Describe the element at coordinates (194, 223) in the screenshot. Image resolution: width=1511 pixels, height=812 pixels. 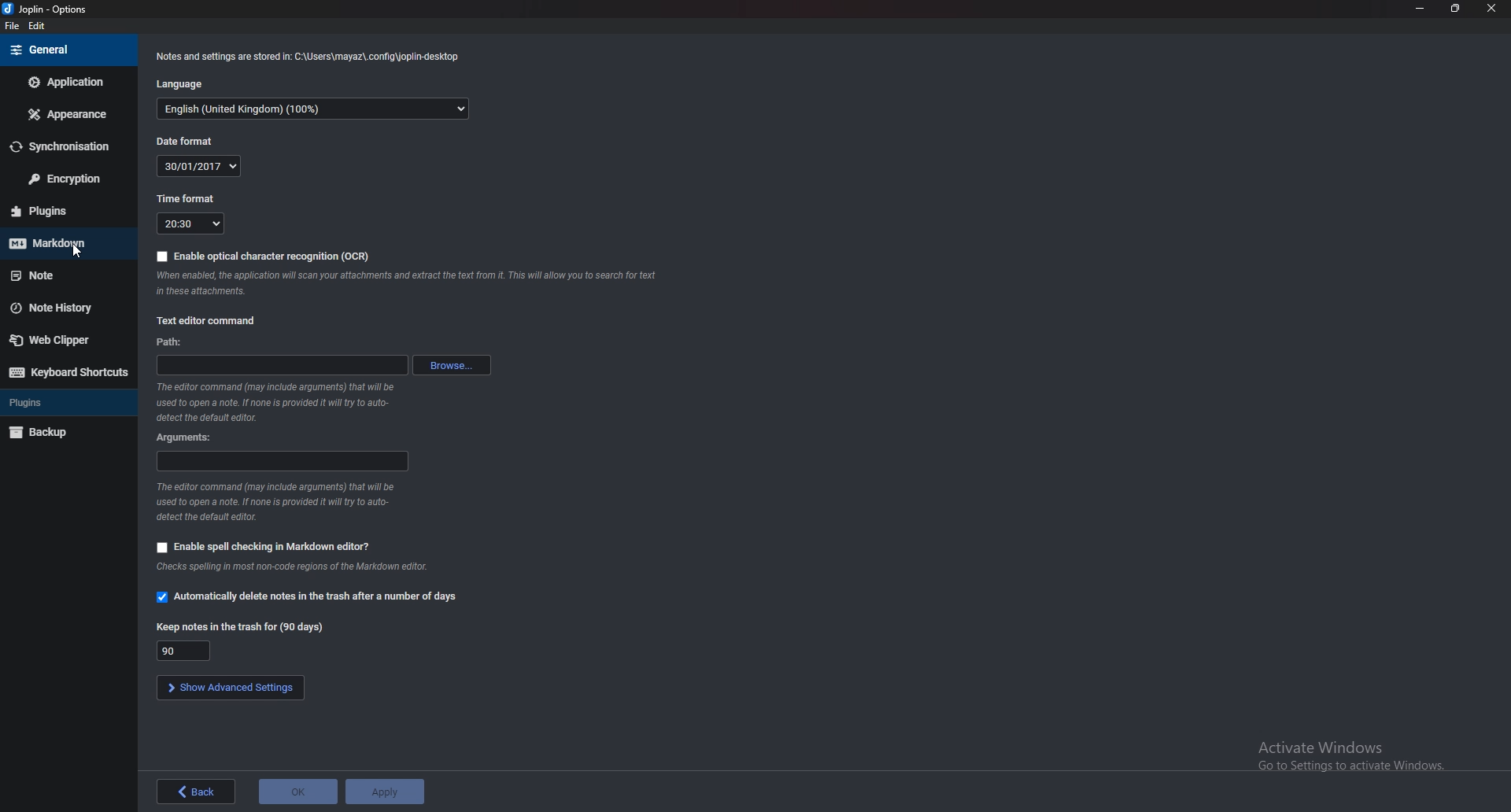
I see `Time format` at that location.